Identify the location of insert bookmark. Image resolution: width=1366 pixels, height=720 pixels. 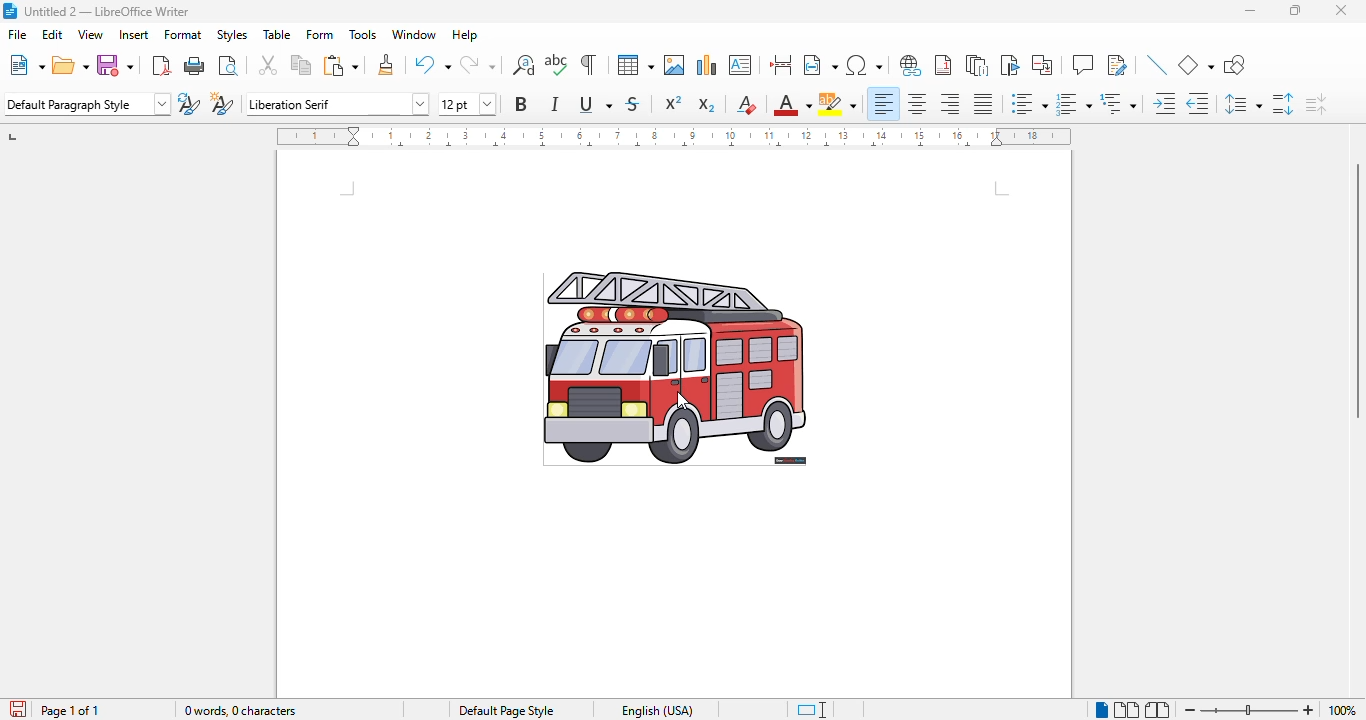
(1009, 65).